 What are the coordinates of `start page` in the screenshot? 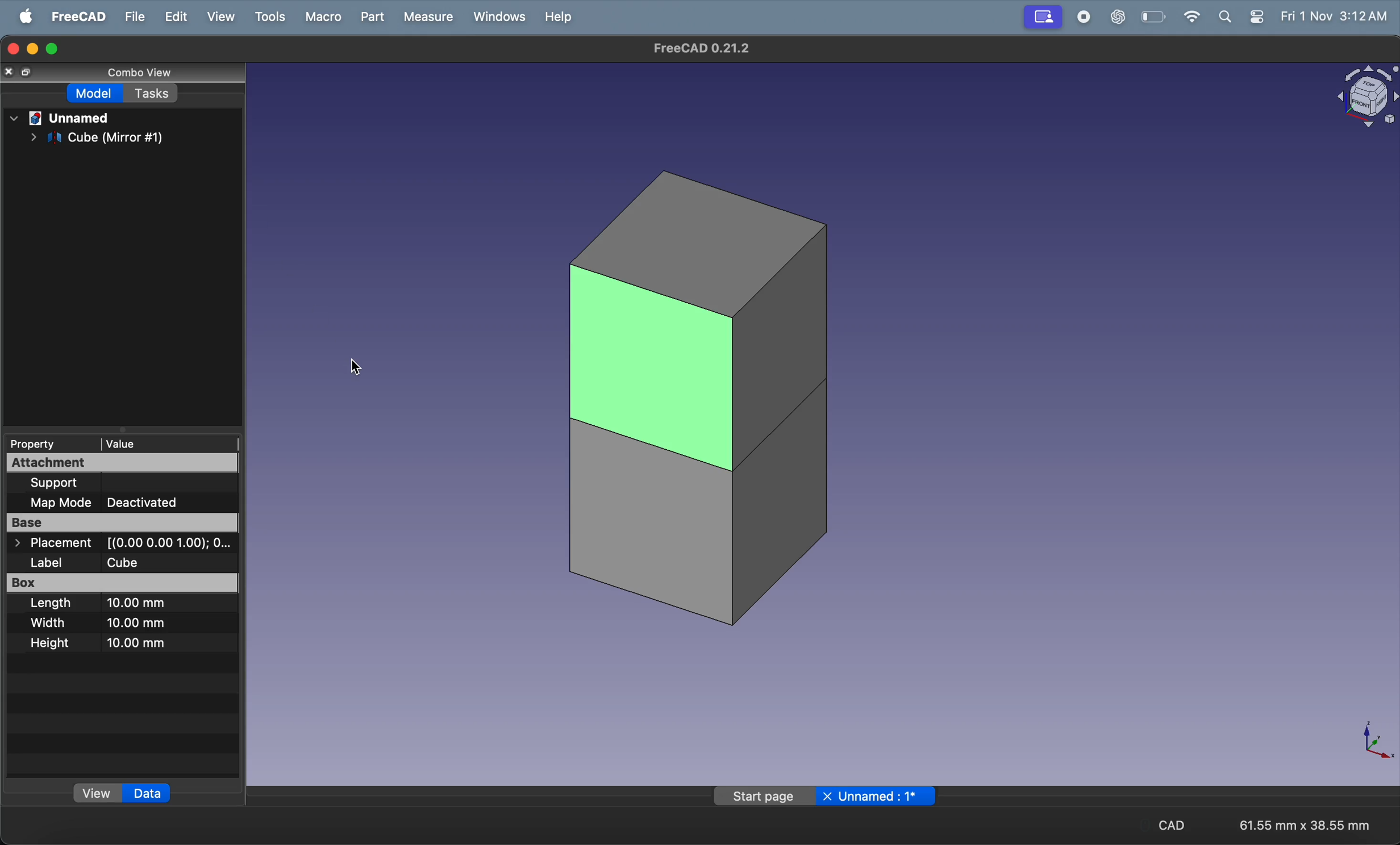 It's located at (763, 797).